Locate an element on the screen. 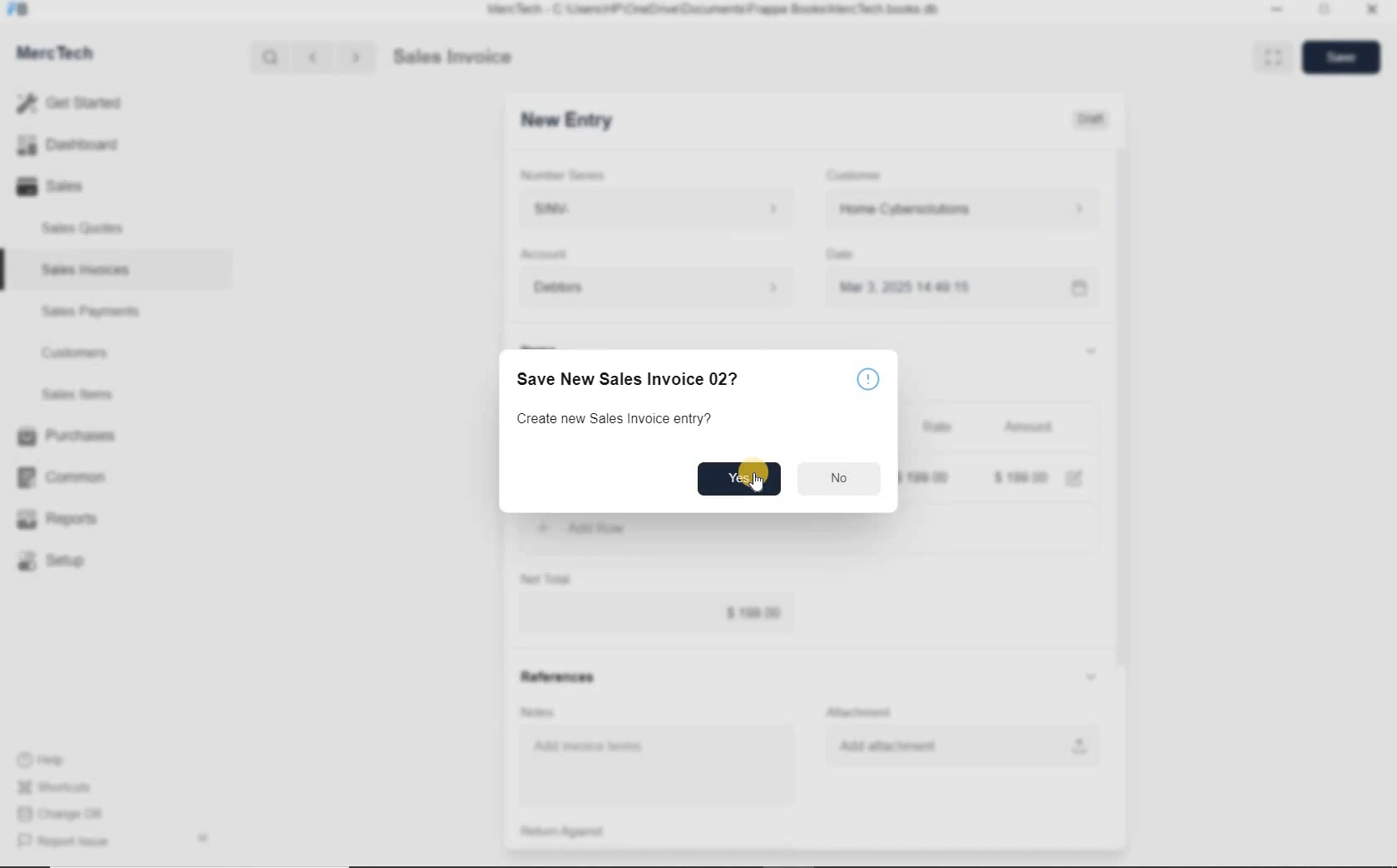 This screenshot has height=868, width=1397. save new sales invoice 02? is located at coordinates (638, 379).